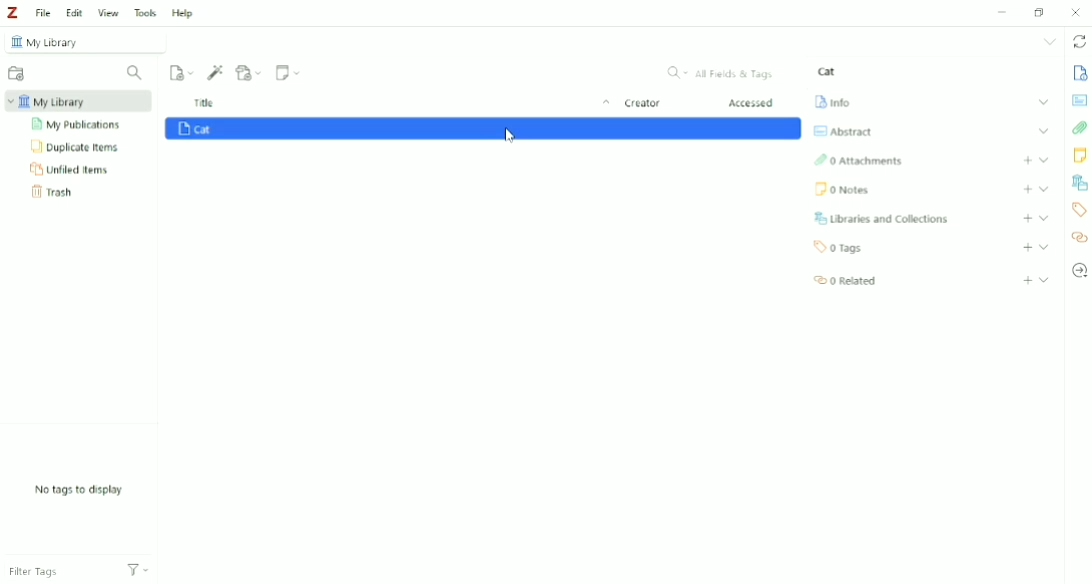 Image resolution: width=1092 pixels, height=584 pixels. I want to click on My Librar, so click(79, 101).